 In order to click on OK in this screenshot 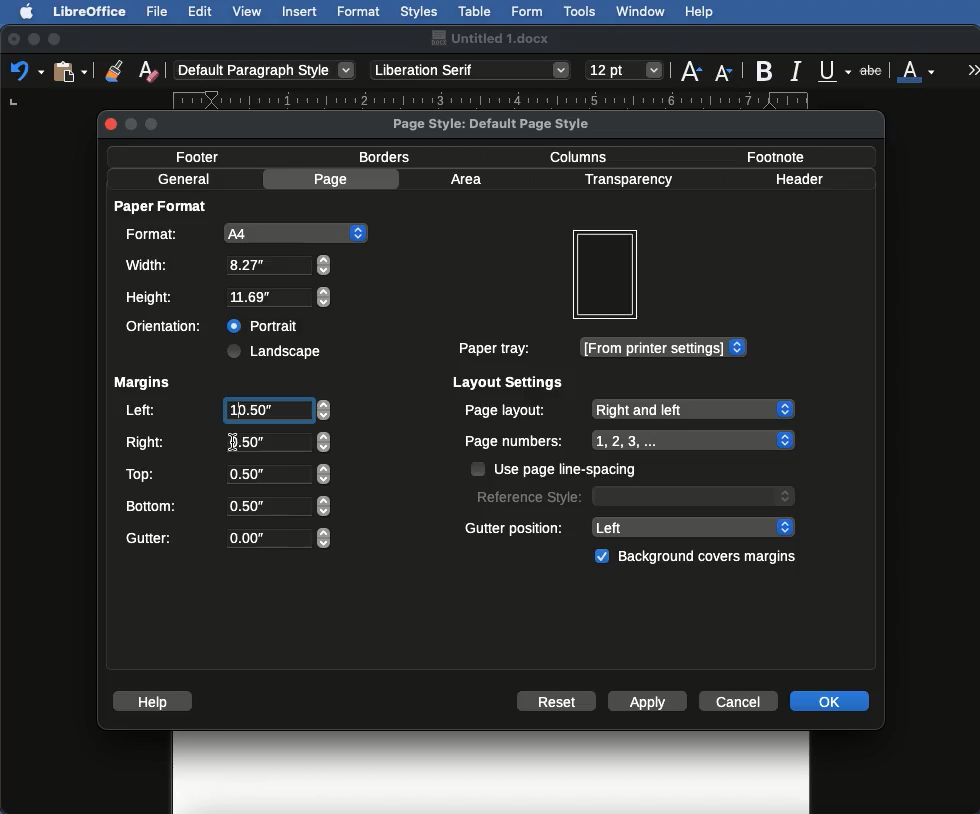, I will do `click(829, 700)`.